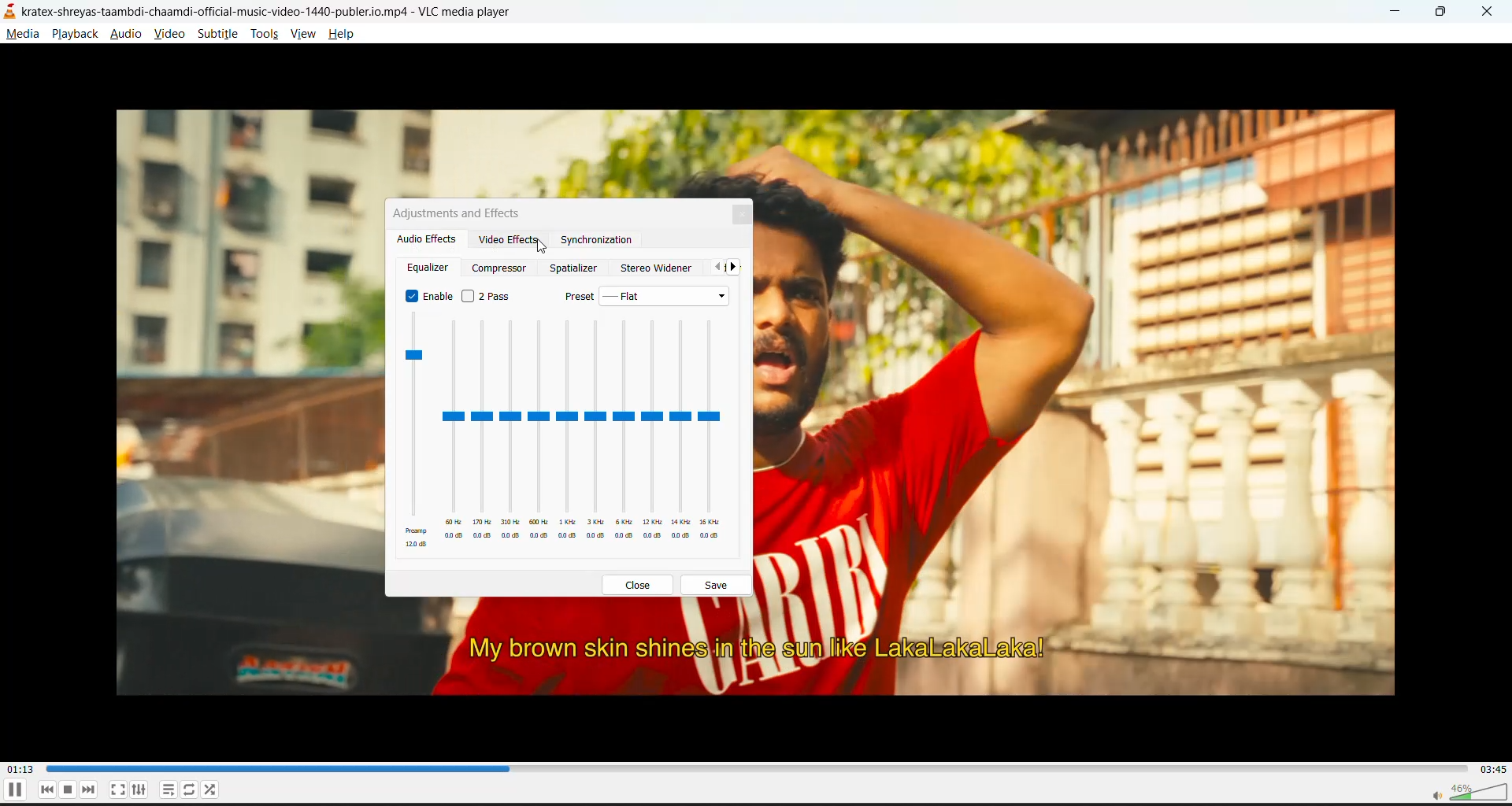 This screenshot has width=1512, height=806. What do you see at coordinates (566, 431) in the screenshot?
I see `` at bounding box center [566, 431].